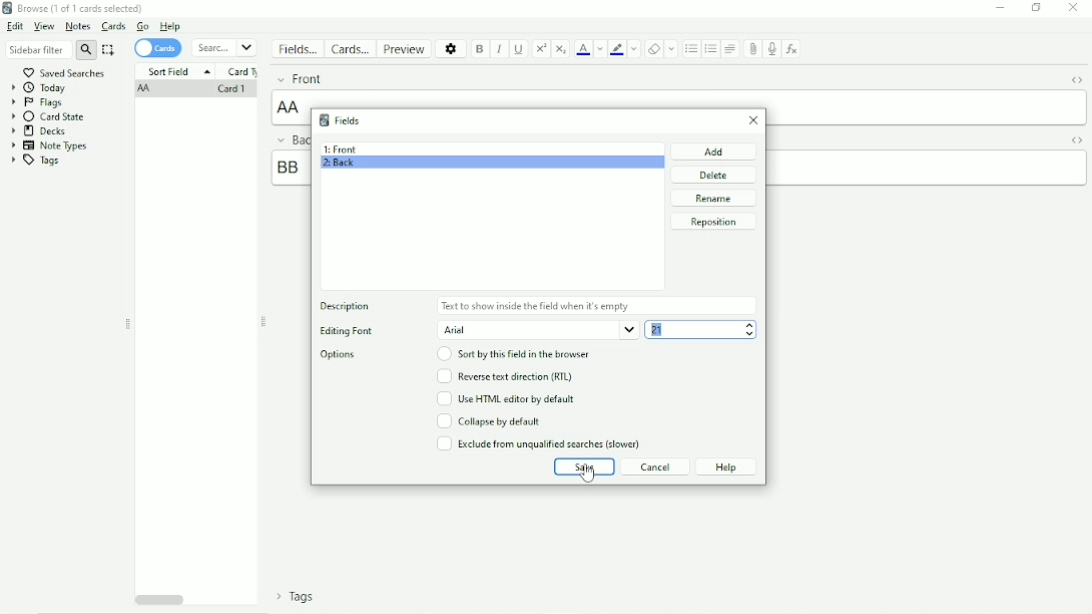 This screenshot has height=614, width=1092. What do you see at coordinates (297, 49) in the screenshot?
I see `Fields` at bounding box center [297, 49].